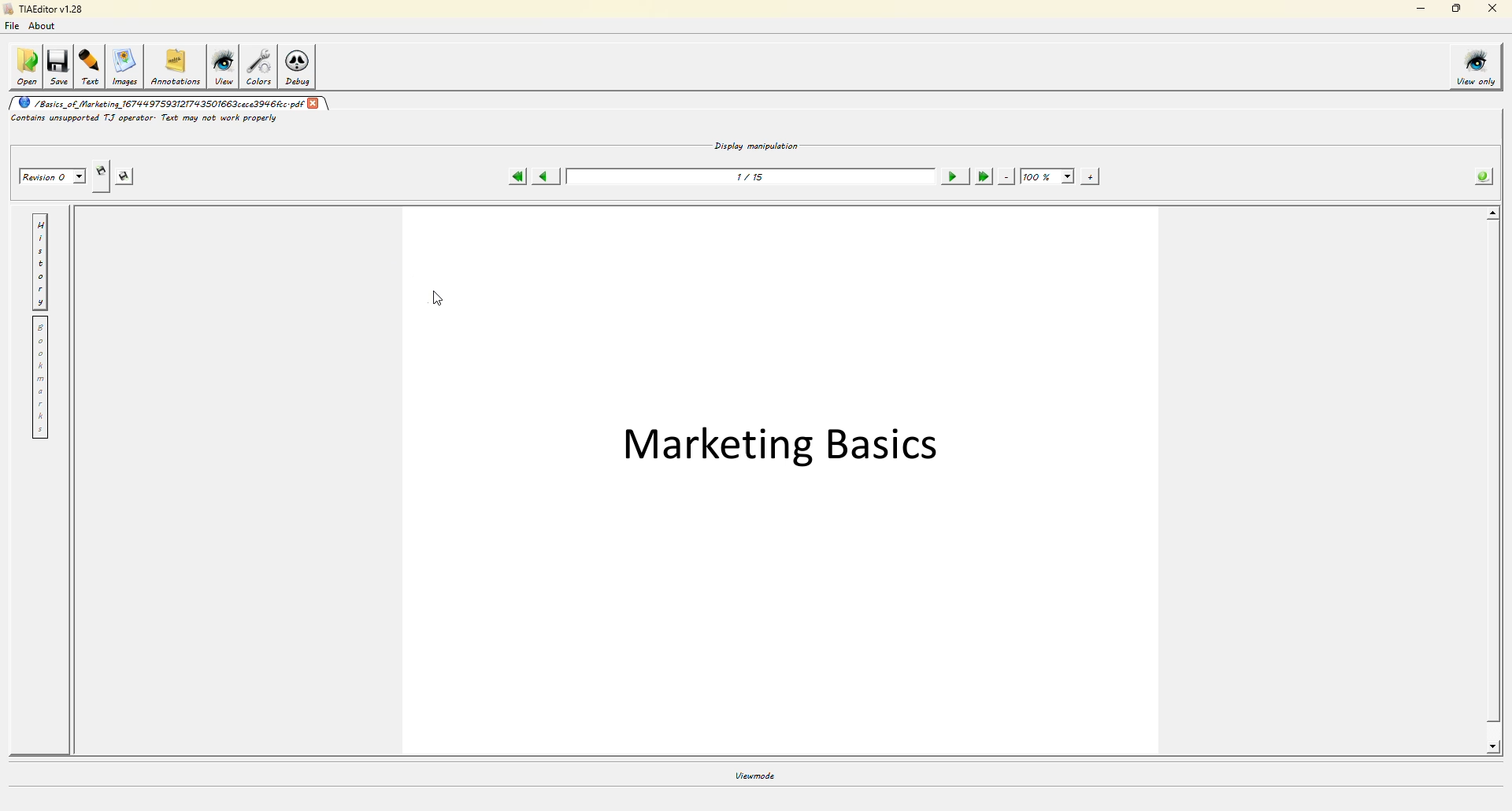  Describe the element at coordinates (126, 68) in the screenshot. I see `images` at that location.